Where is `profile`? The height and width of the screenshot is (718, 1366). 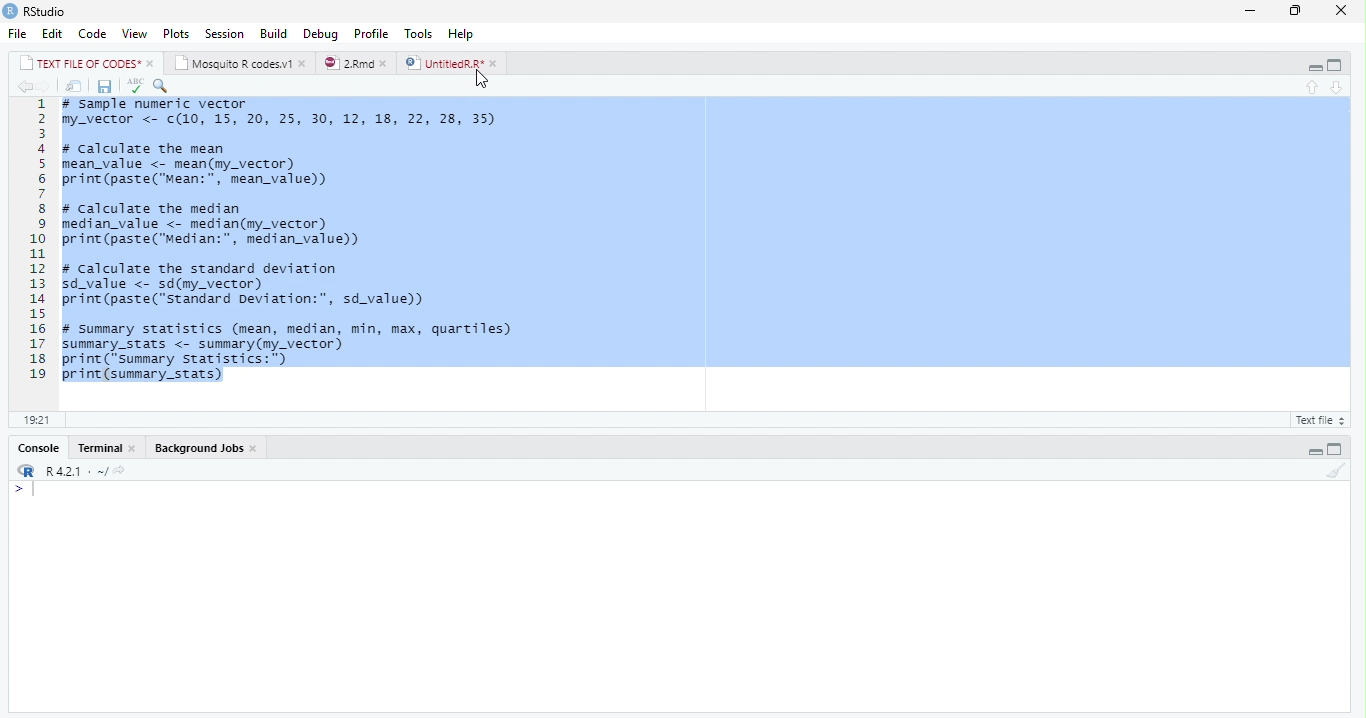
profile is located at coordinates (371, 34).